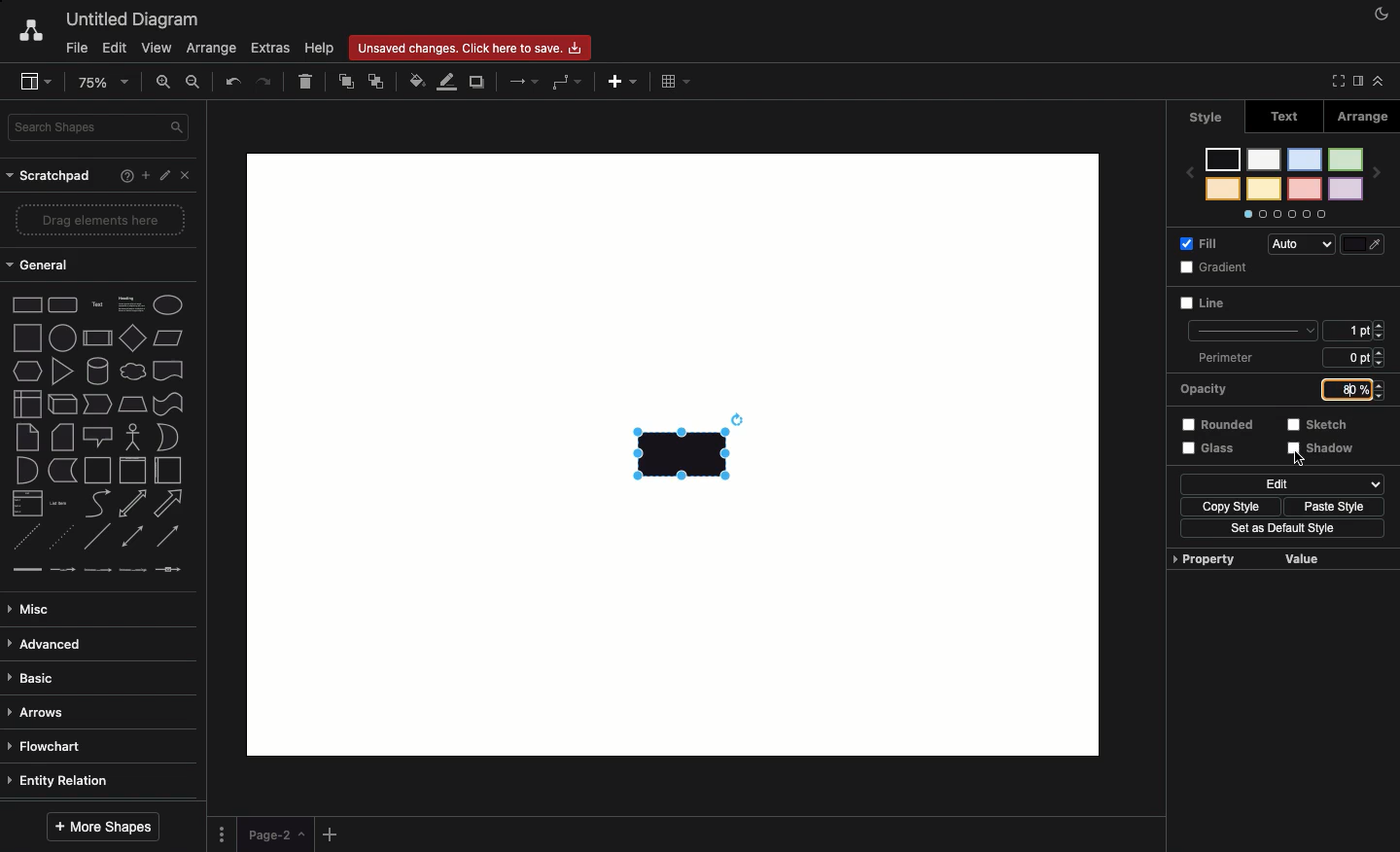  I want to click on More shapes, so click(107, 826).